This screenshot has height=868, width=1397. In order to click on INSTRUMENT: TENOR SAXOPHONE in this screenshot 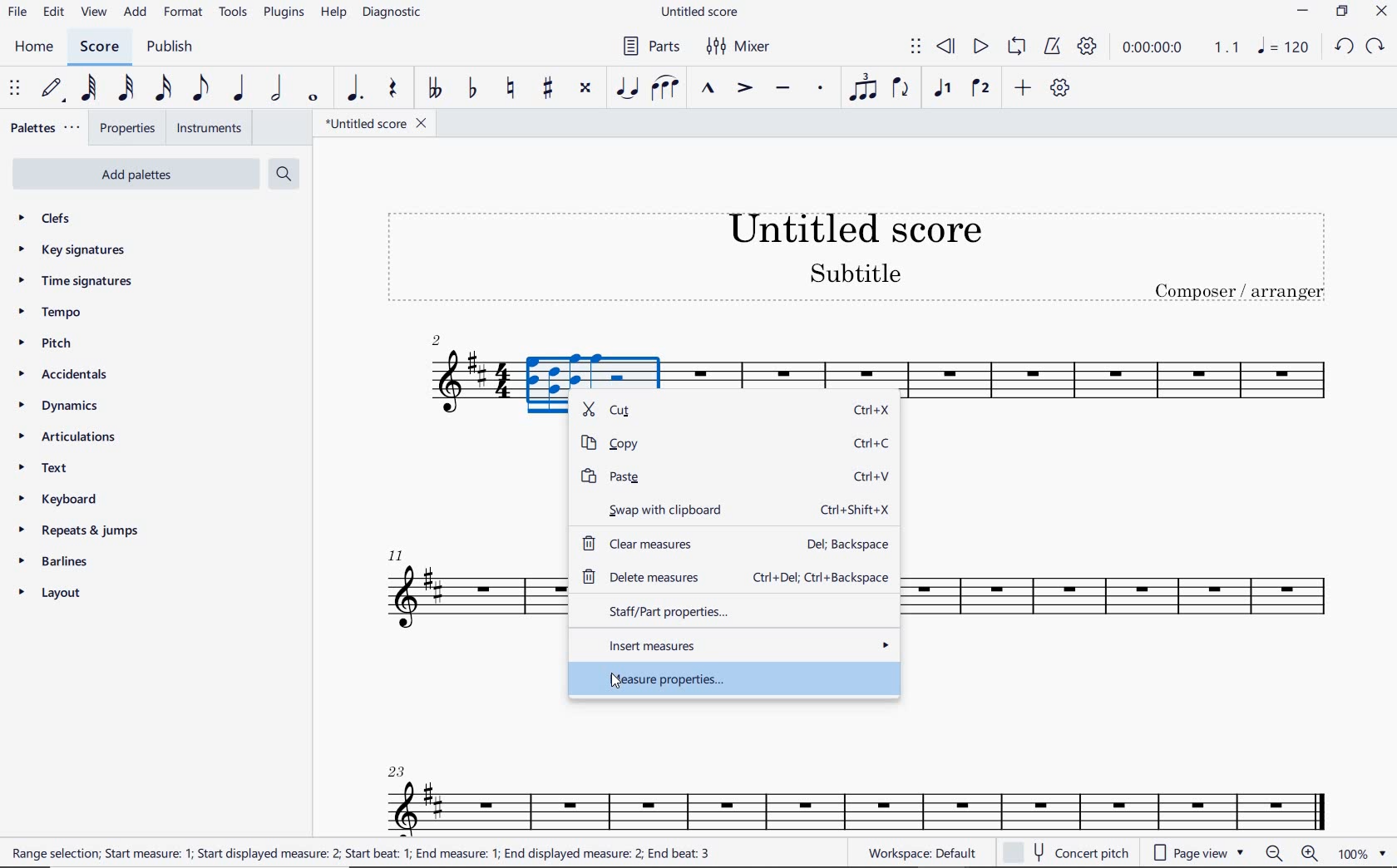, I will do `click(462, 589)`.